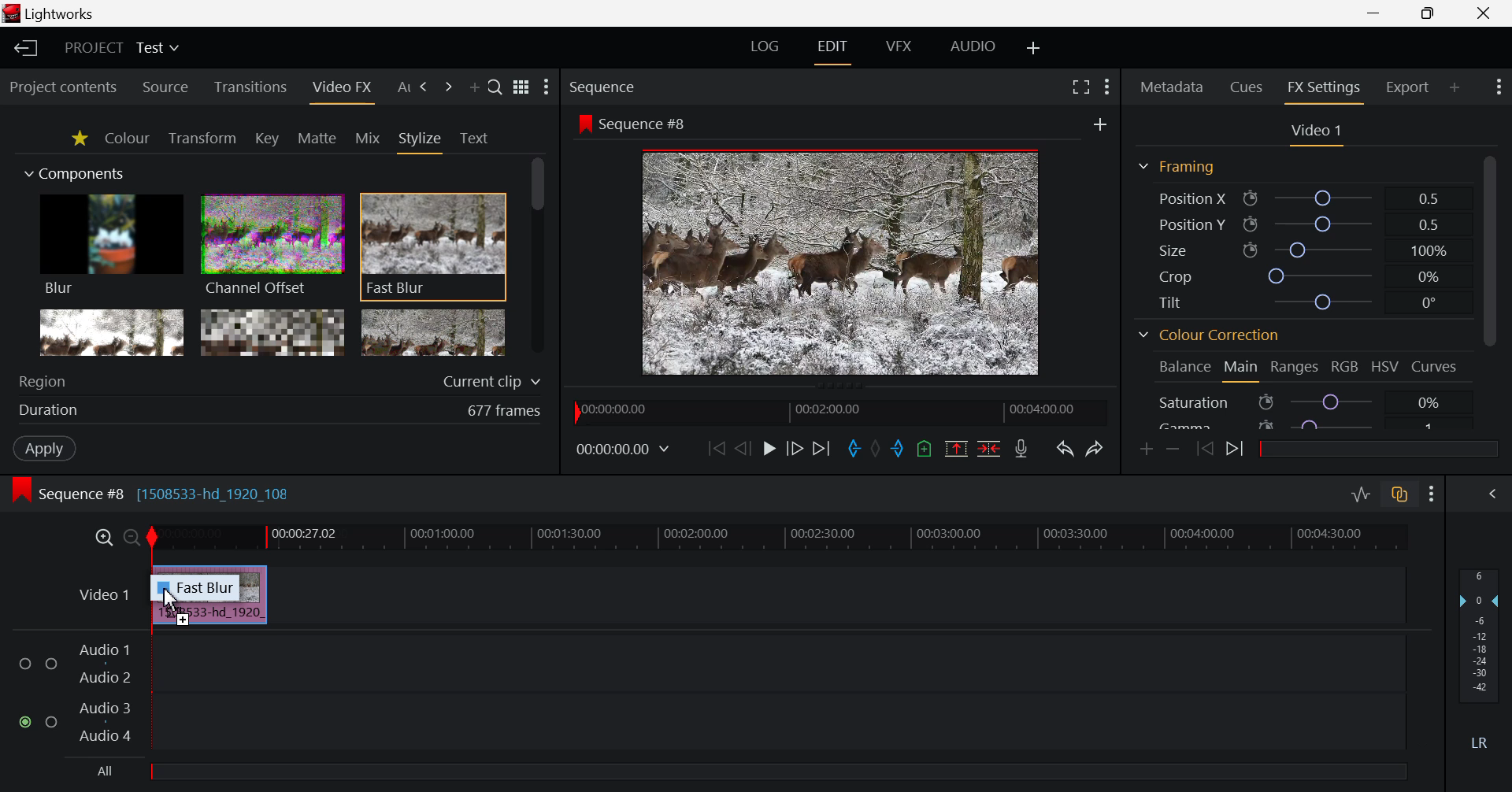 Image resolution: width=1512 pixels, height=792 pixels. Describe the element at coordinates (113, 246) in the screenshot. I see `Blur` at that location.